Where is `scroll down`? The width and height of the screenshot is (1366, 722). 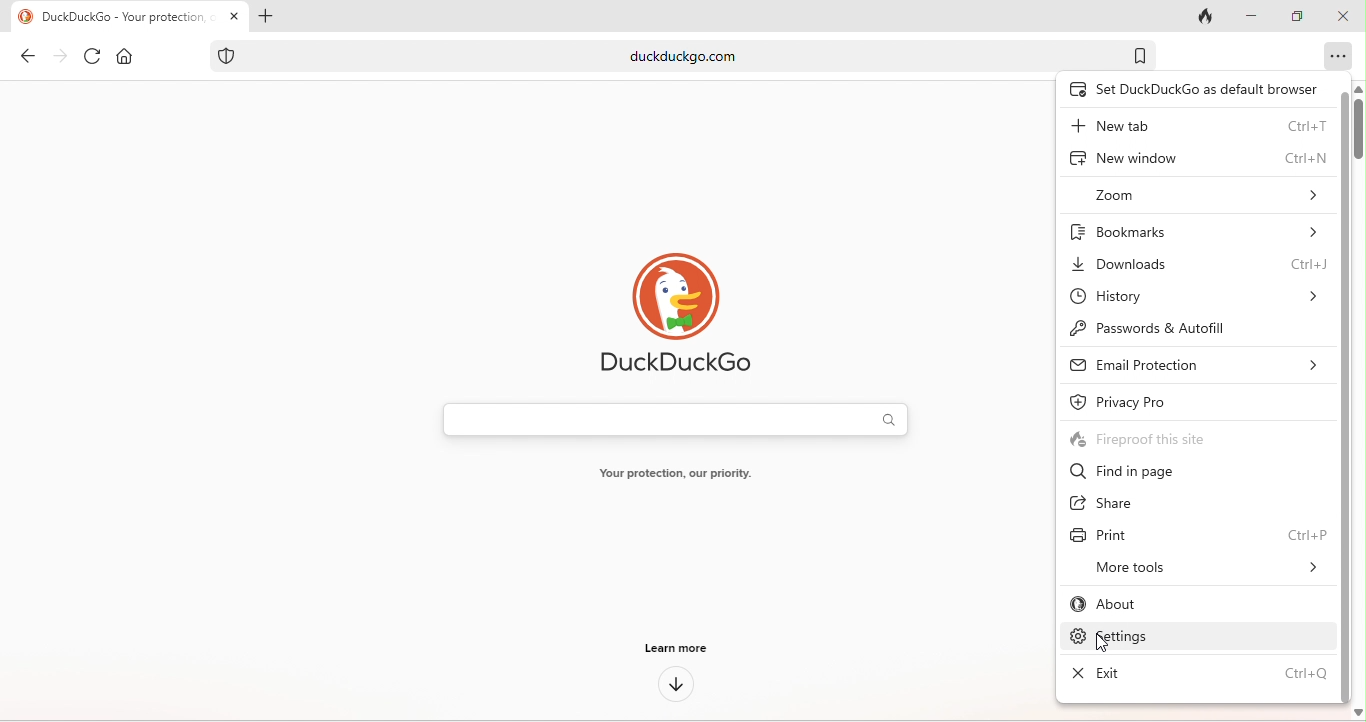 scroll down is located at coordinates (1356, 712).